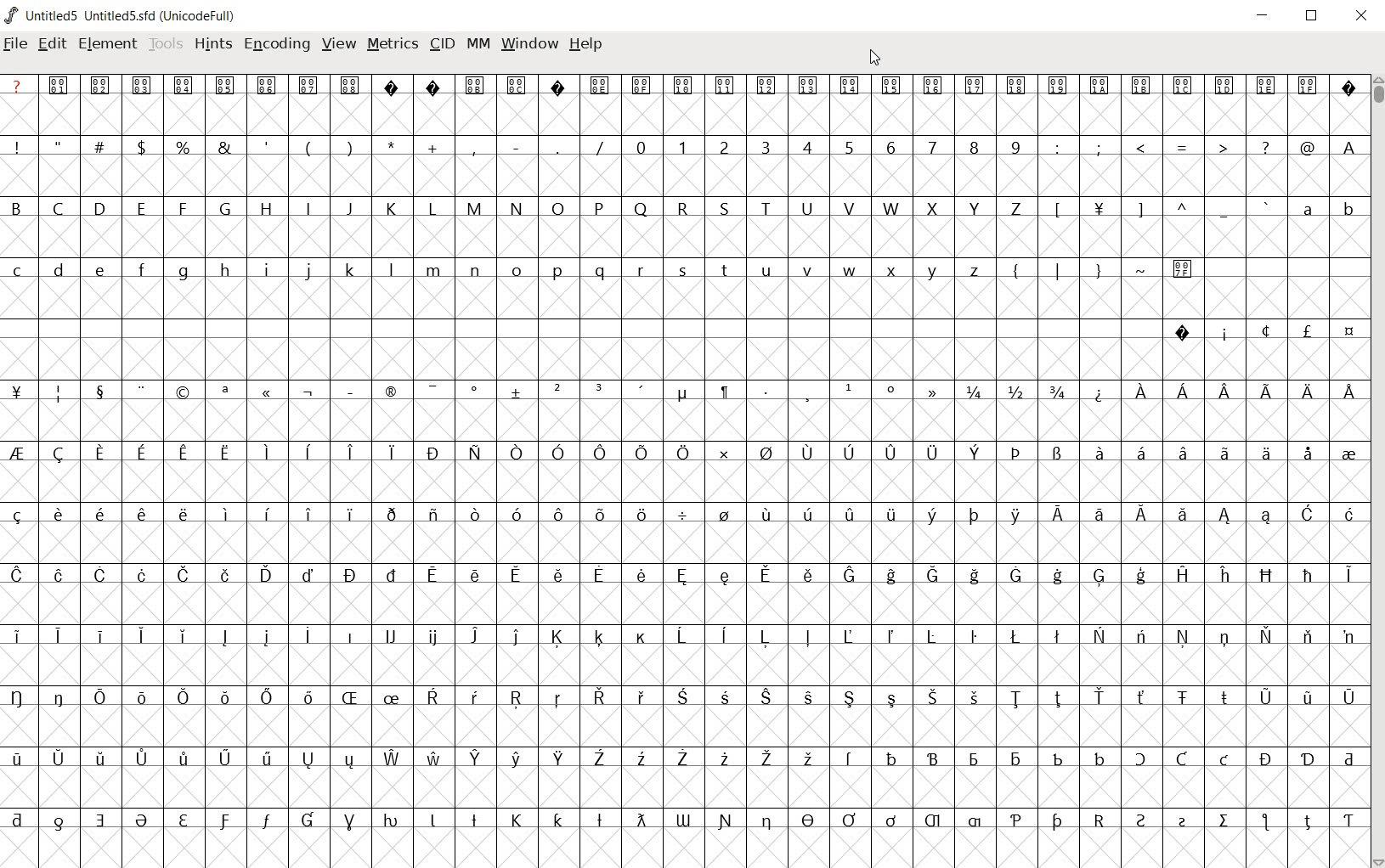 The width and height of the screenshot is (1385, 868). I want to click on Symbol, so click(348, 389).